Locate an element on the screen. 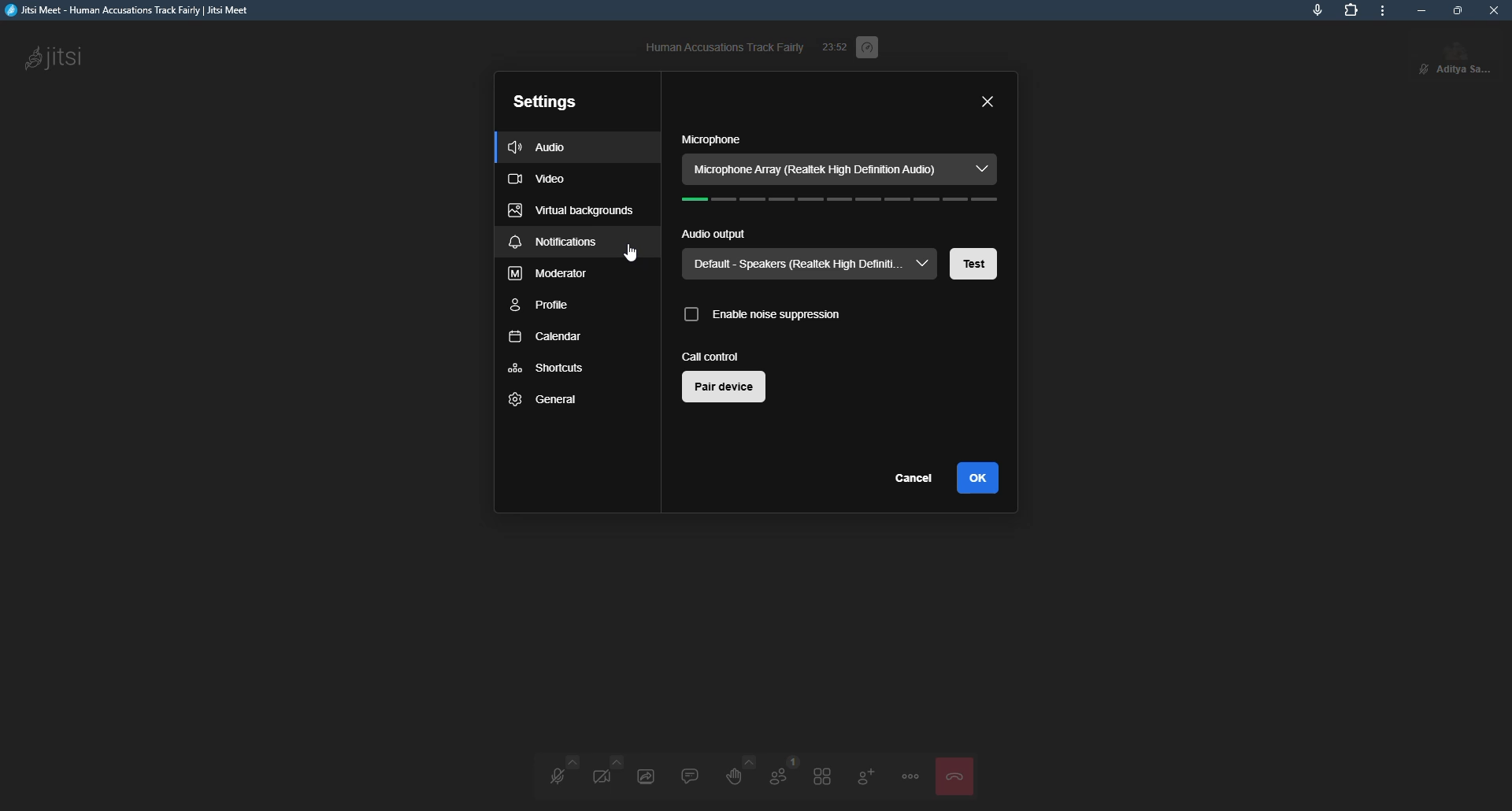 Image resolution: width=1512 pixels, height=811 pixels. performance setting is located at coordinates (871, 49).